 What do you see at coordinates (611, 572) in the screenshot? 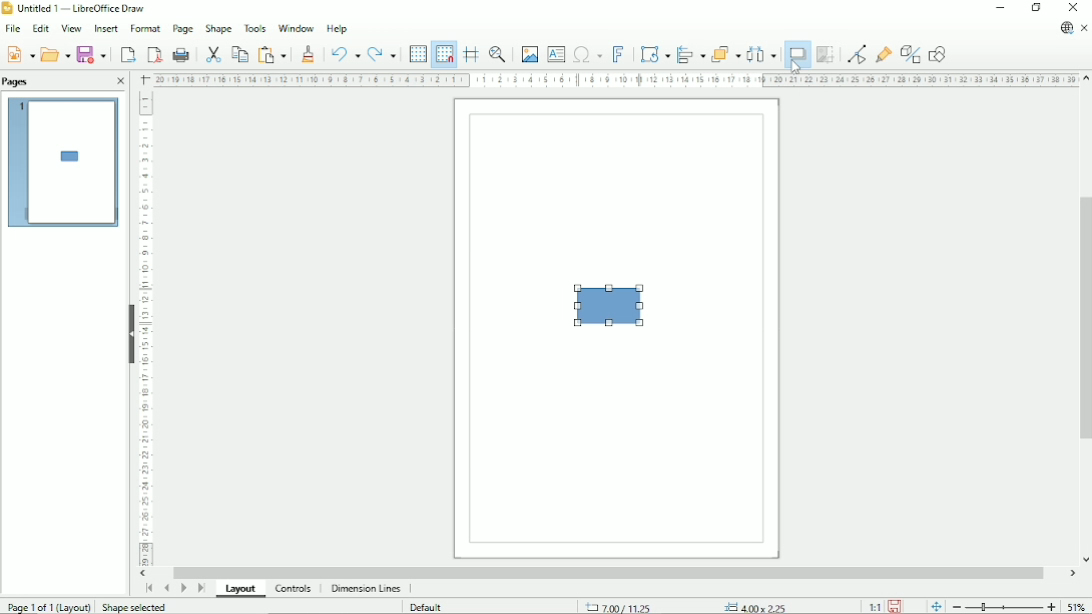
I see `Horizontal scrollbar` at bounding box center [611, 572].